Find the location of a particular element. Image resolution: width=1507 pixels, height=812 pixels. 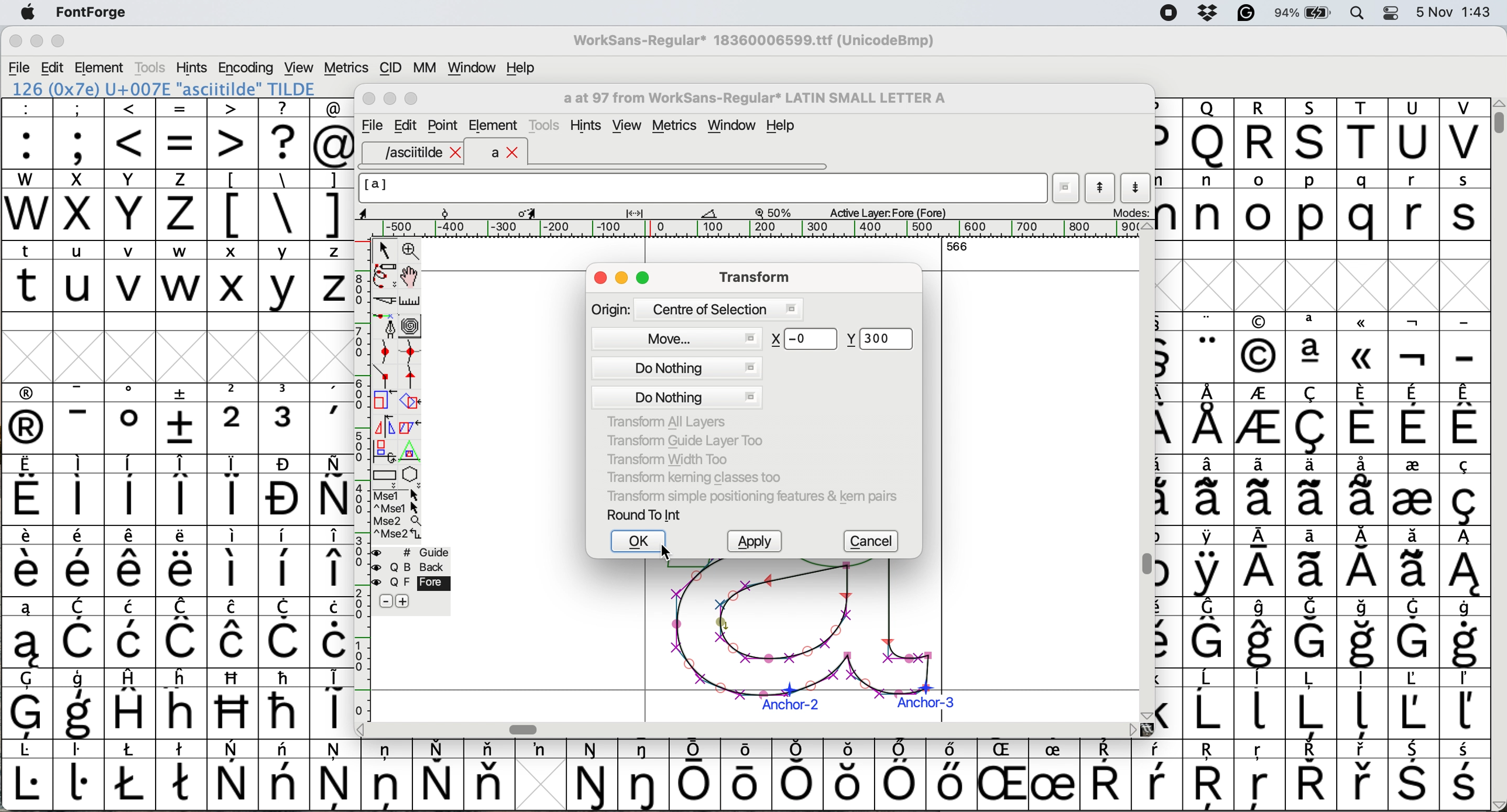

close is located at coordinates (15, 43).